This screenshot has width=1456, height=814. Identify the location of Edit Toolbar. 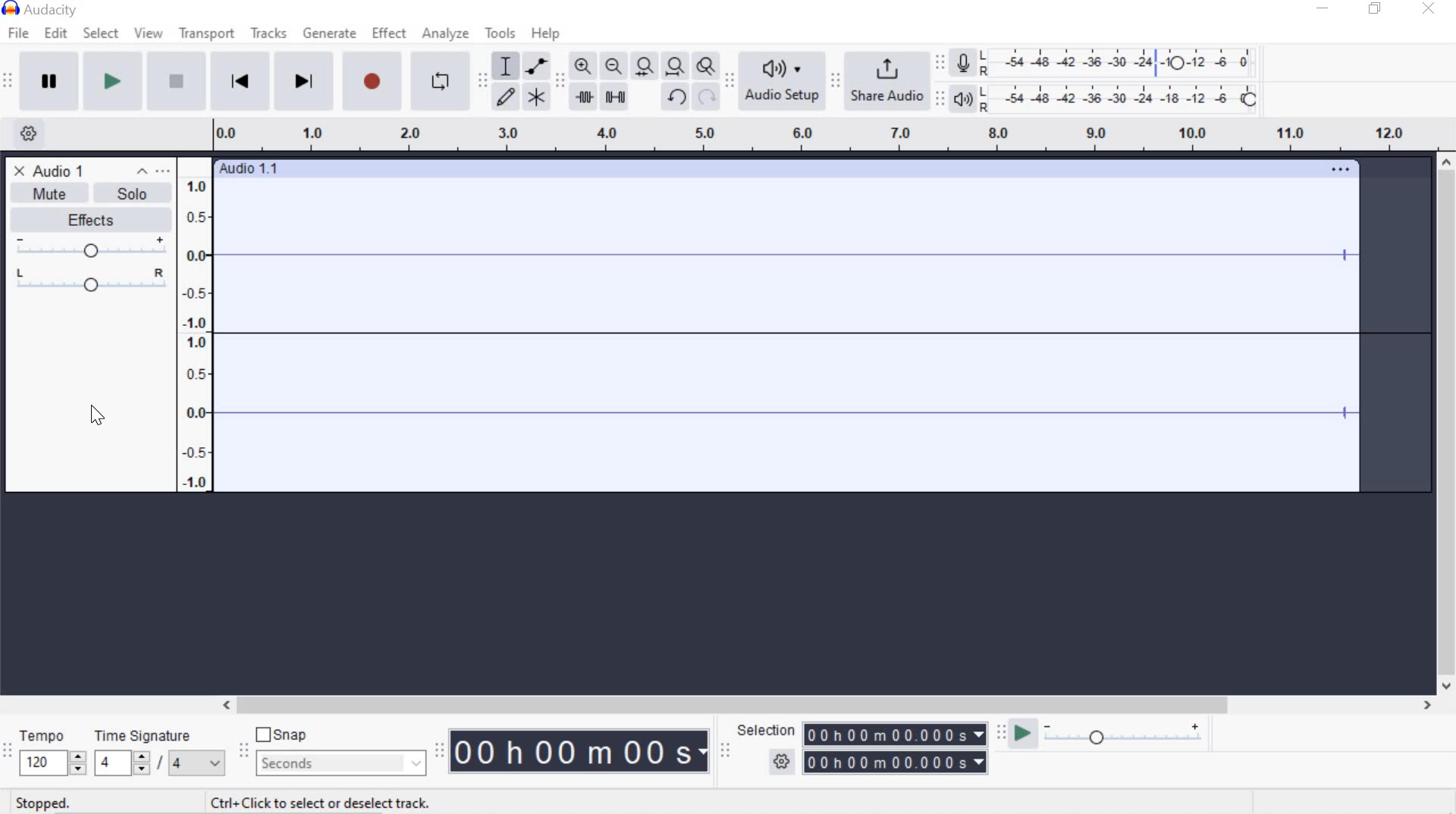
(560, 80).